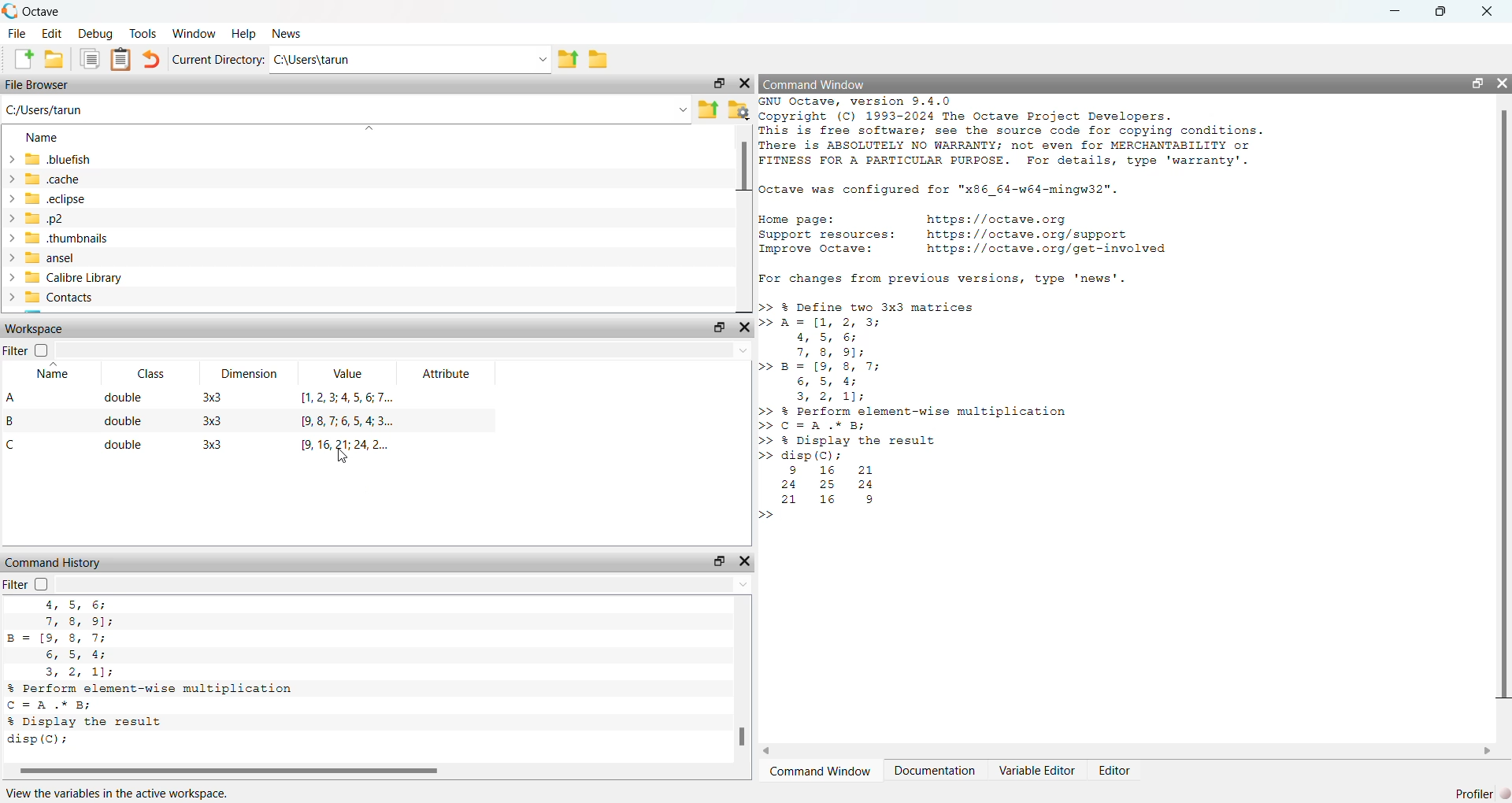 This screenshot has height=803, width=1512. Describe the element at coordinates (1489, 12) in the screenshot. I see `Close` at that location.